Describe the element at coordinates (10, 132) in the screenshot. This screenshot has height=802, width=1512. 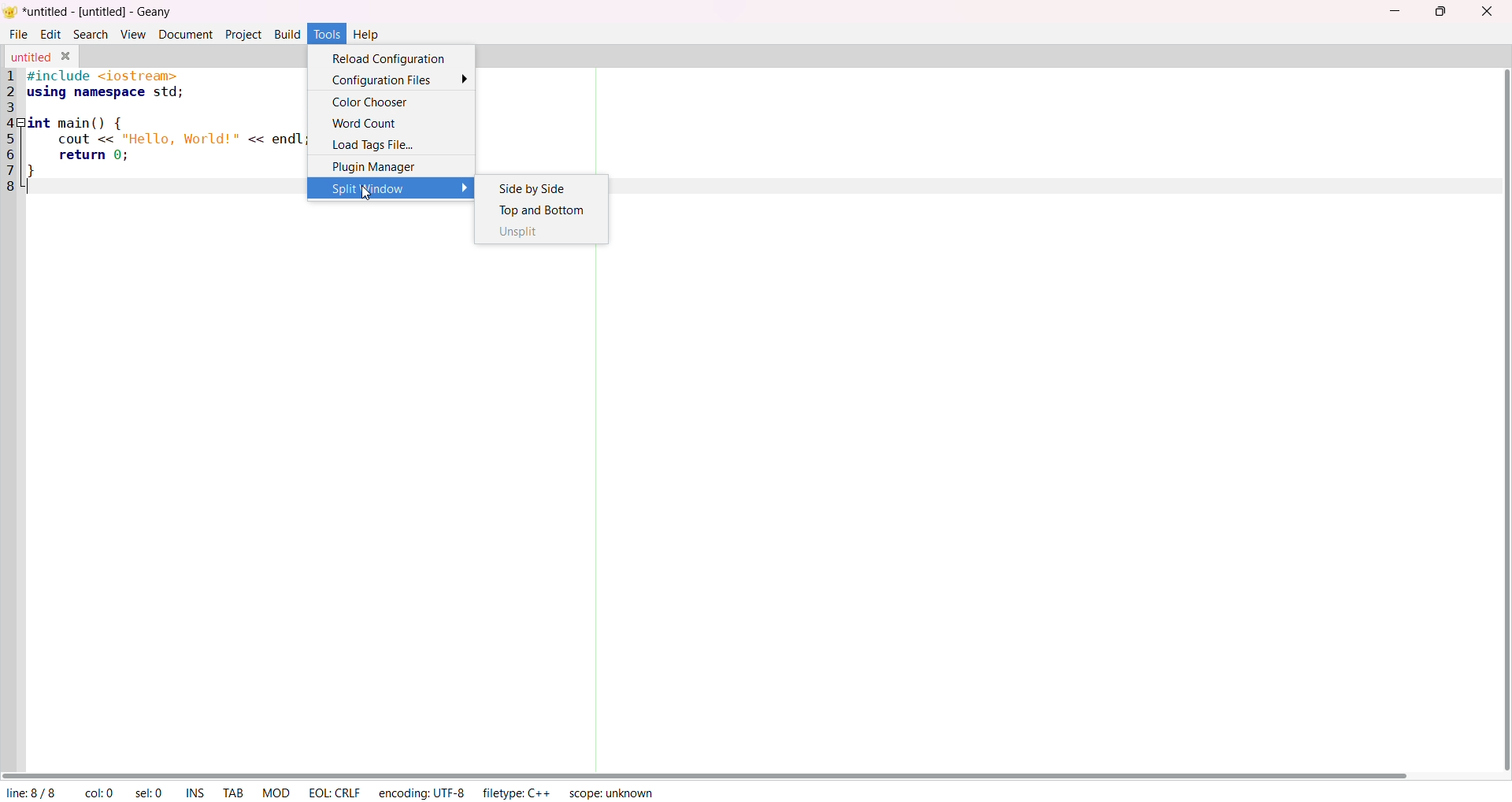
I see `line number` at that location.